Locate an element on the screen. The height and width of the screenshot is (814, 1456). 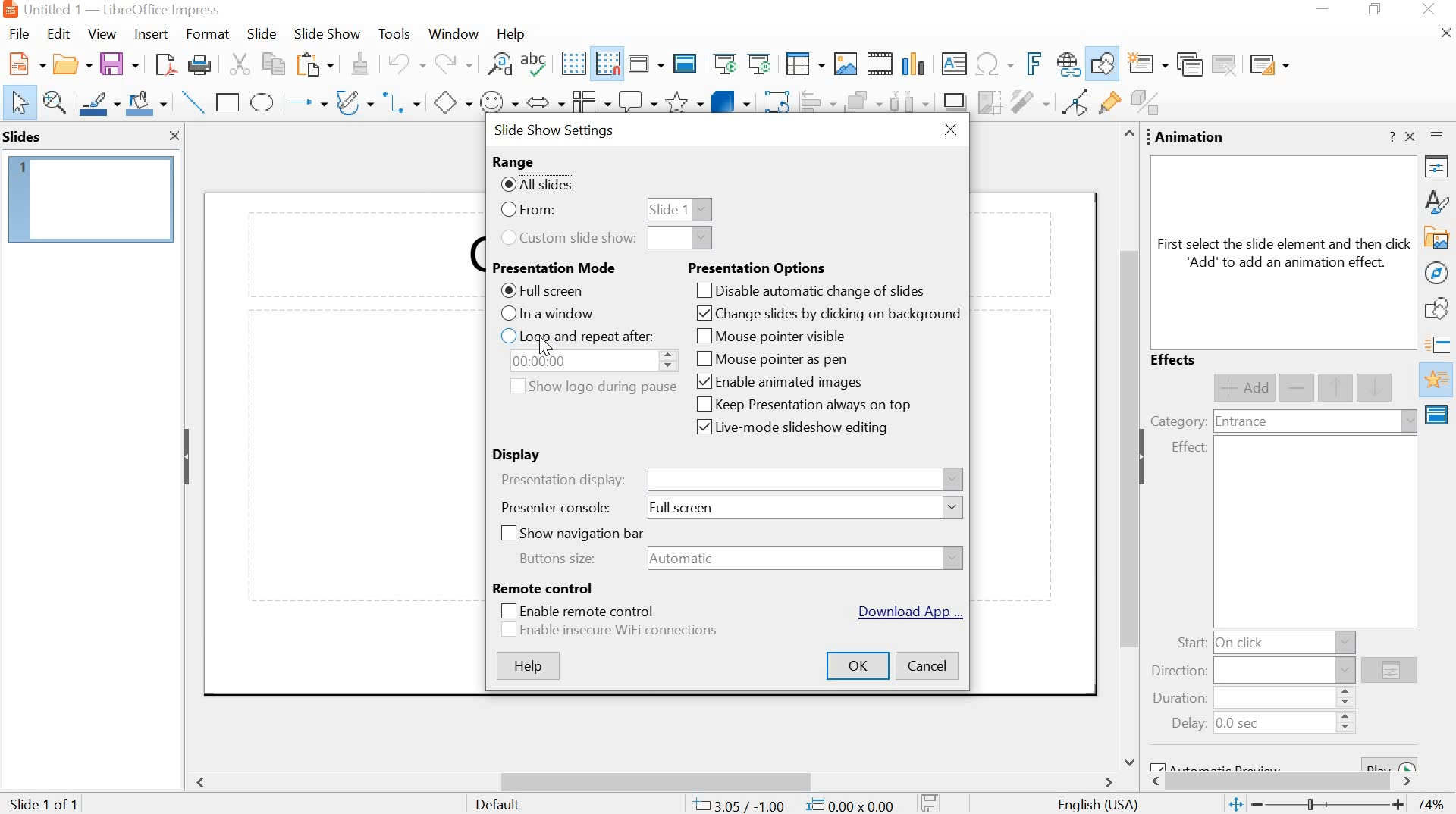
basic shapes is located at coordinates (451, 105).